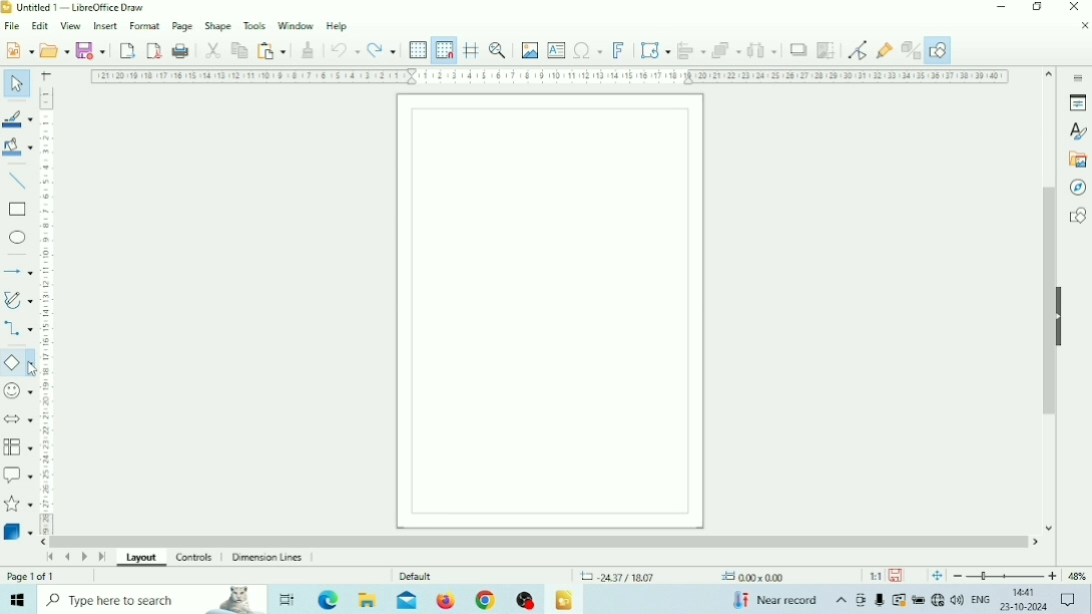 The image size is (1092, 614). Describe the element at coordinates (885, 51) in the screenshot. I see `Show Gluepoint Functions` at that location.